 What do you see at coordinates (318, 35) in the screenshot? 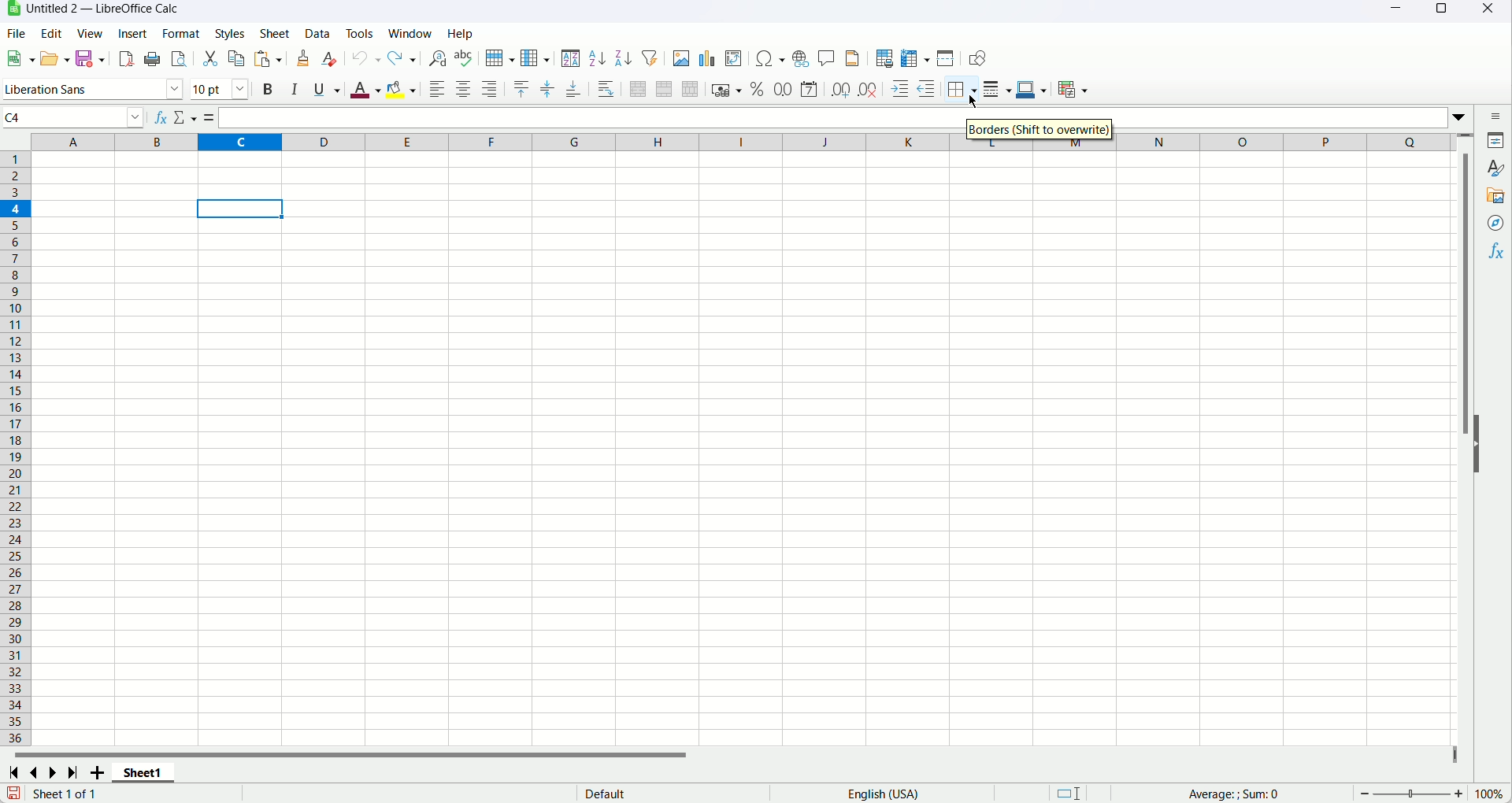
I see `Data` at bounding box center [318, 35].